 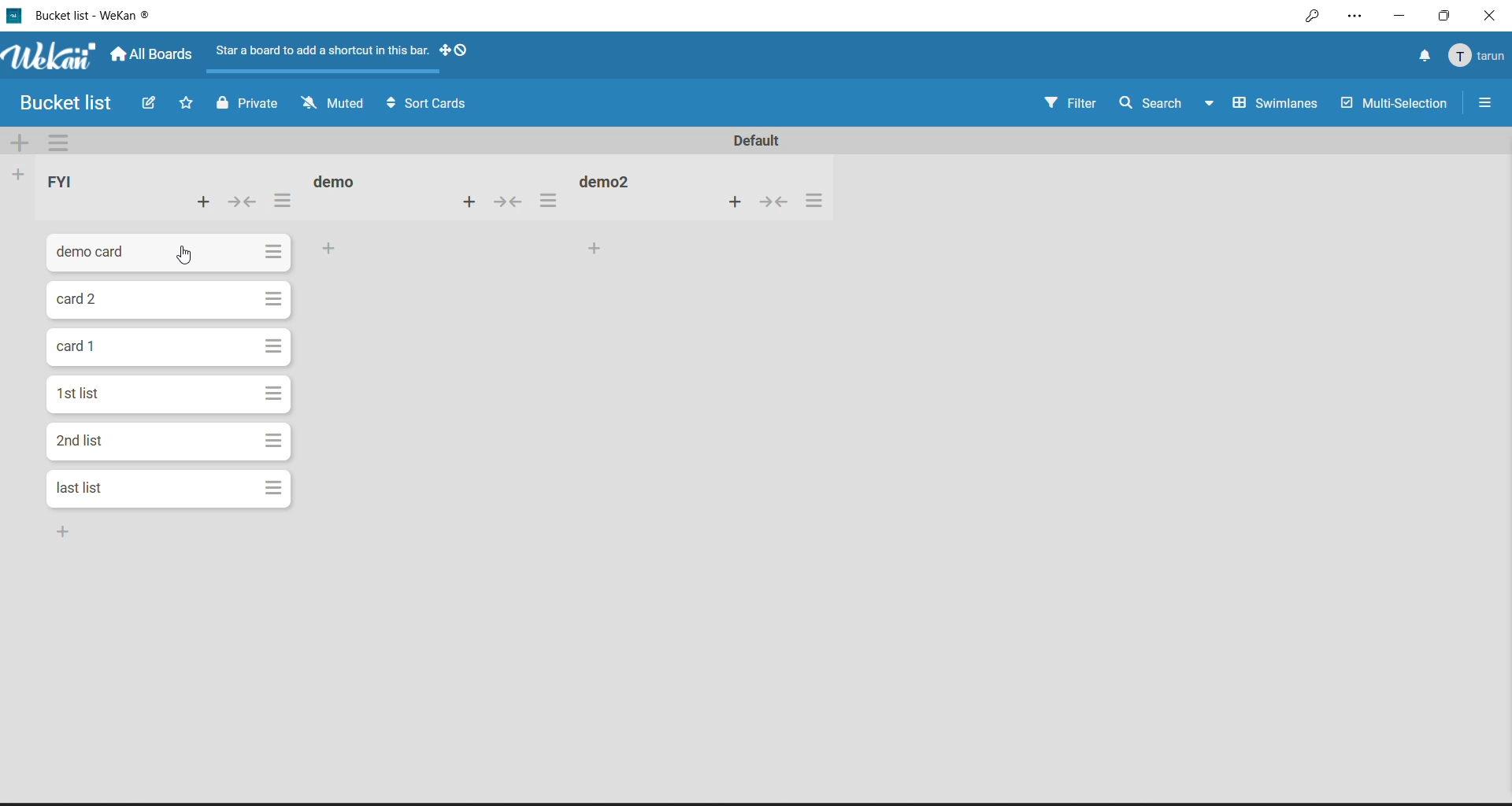 I want to click on Star a board to add a shortcut in this bar., so click(x=324, y=50).